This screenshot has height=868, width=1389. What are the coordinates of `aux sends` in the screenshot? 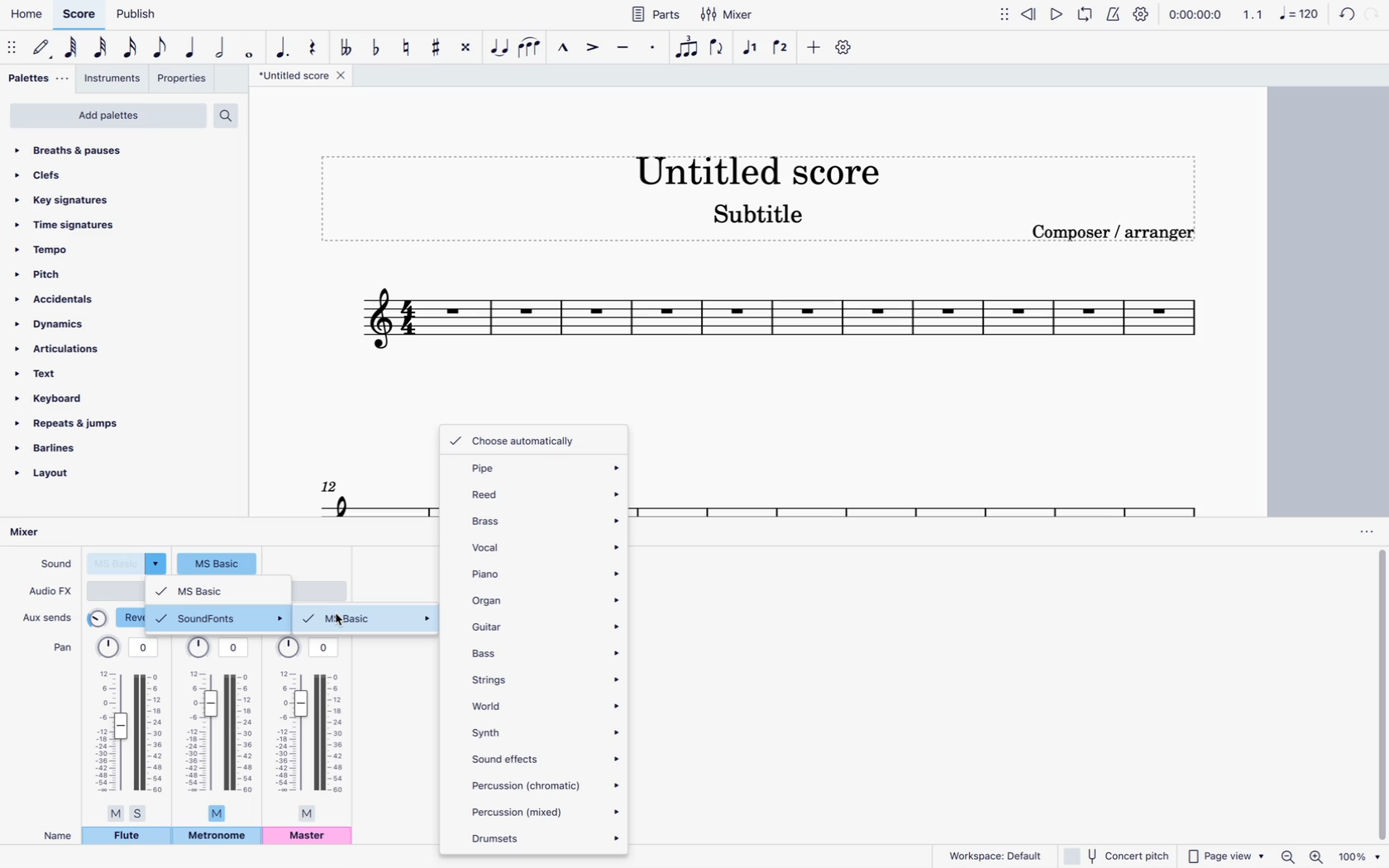 It's located at (49, 614).